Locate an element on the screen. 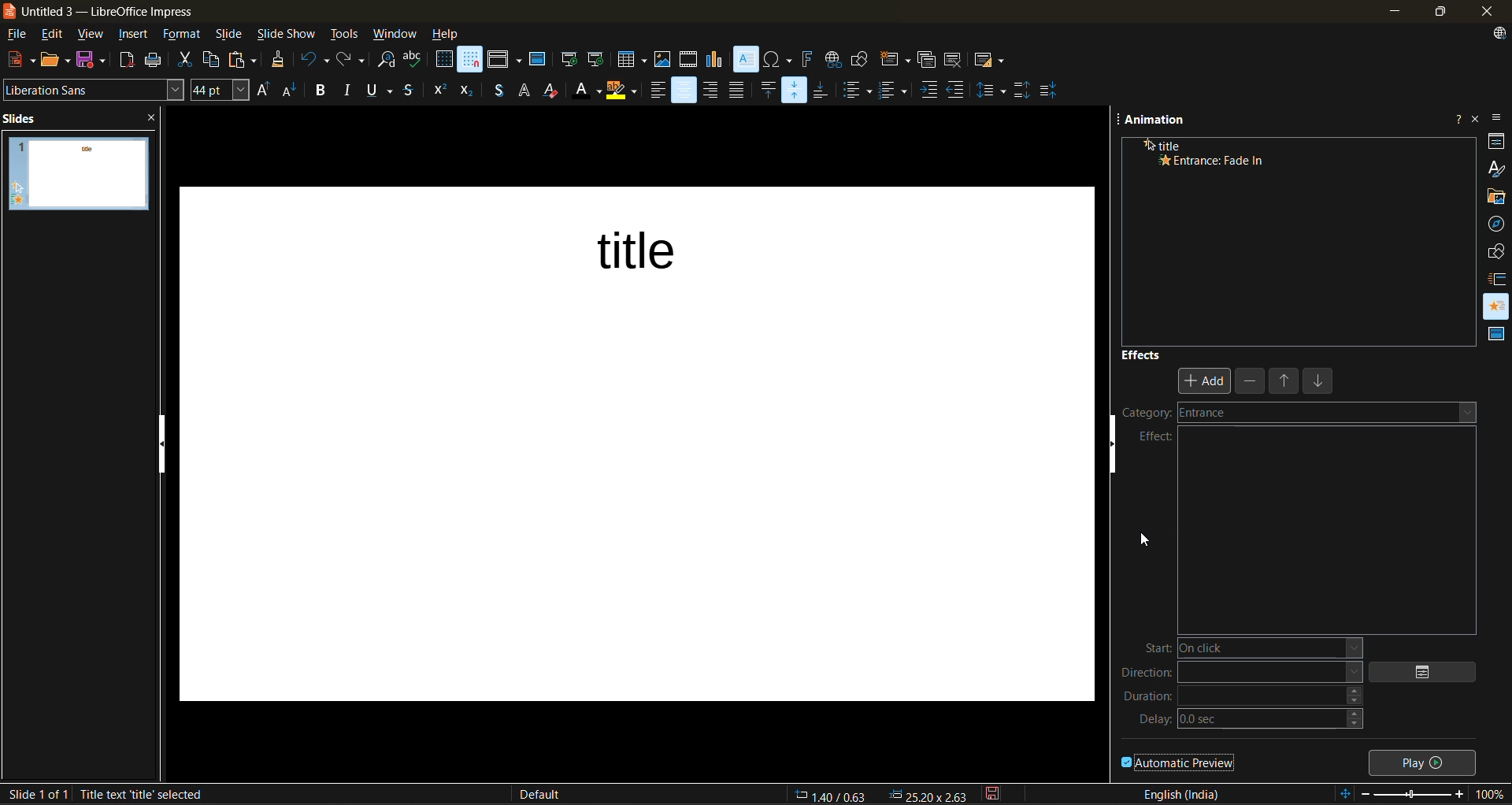  click to save is located at coordinates (995, 793).